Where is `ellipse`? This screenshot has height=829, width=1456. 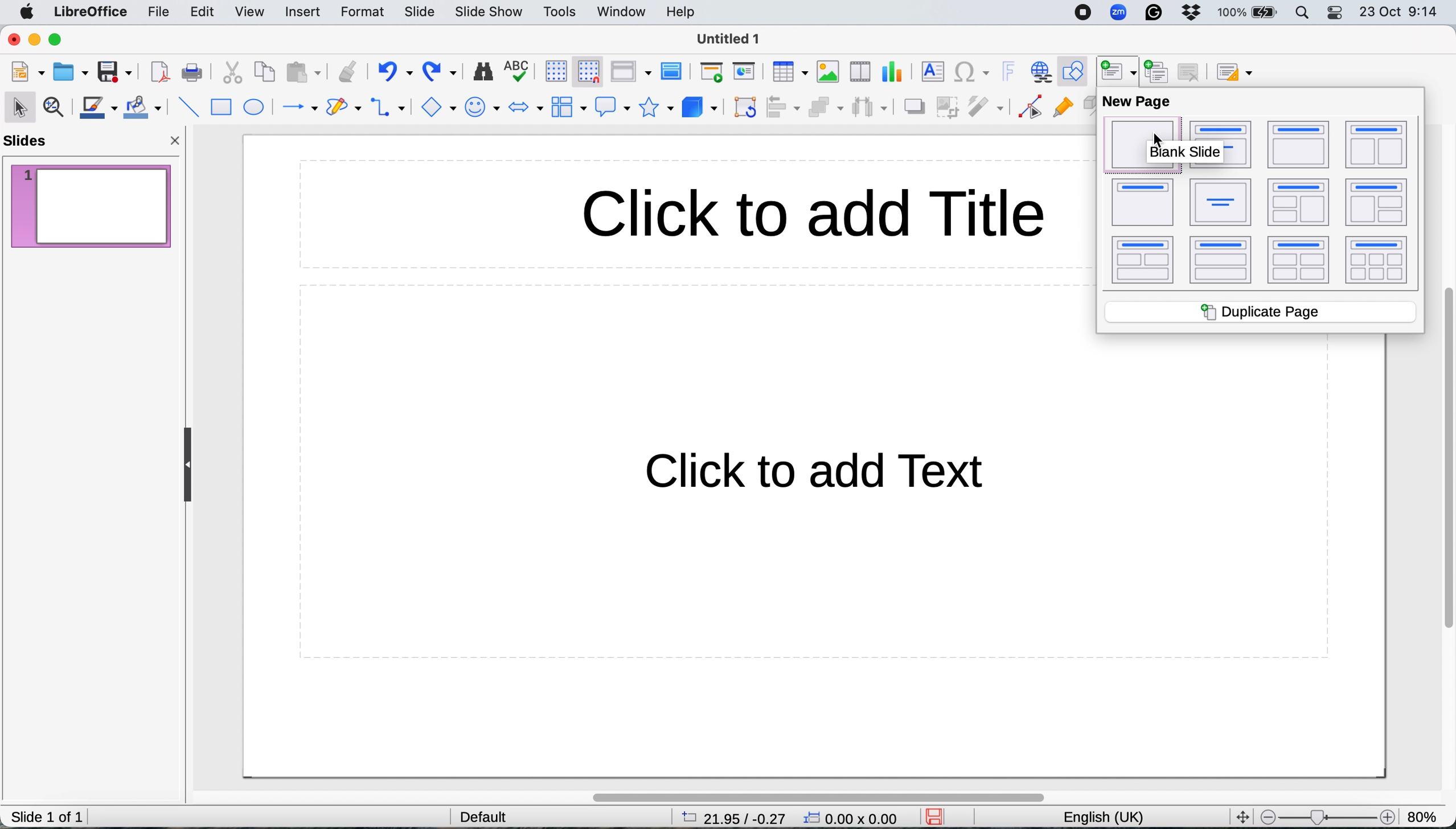
ellipse is located at coordinates (255, 108).